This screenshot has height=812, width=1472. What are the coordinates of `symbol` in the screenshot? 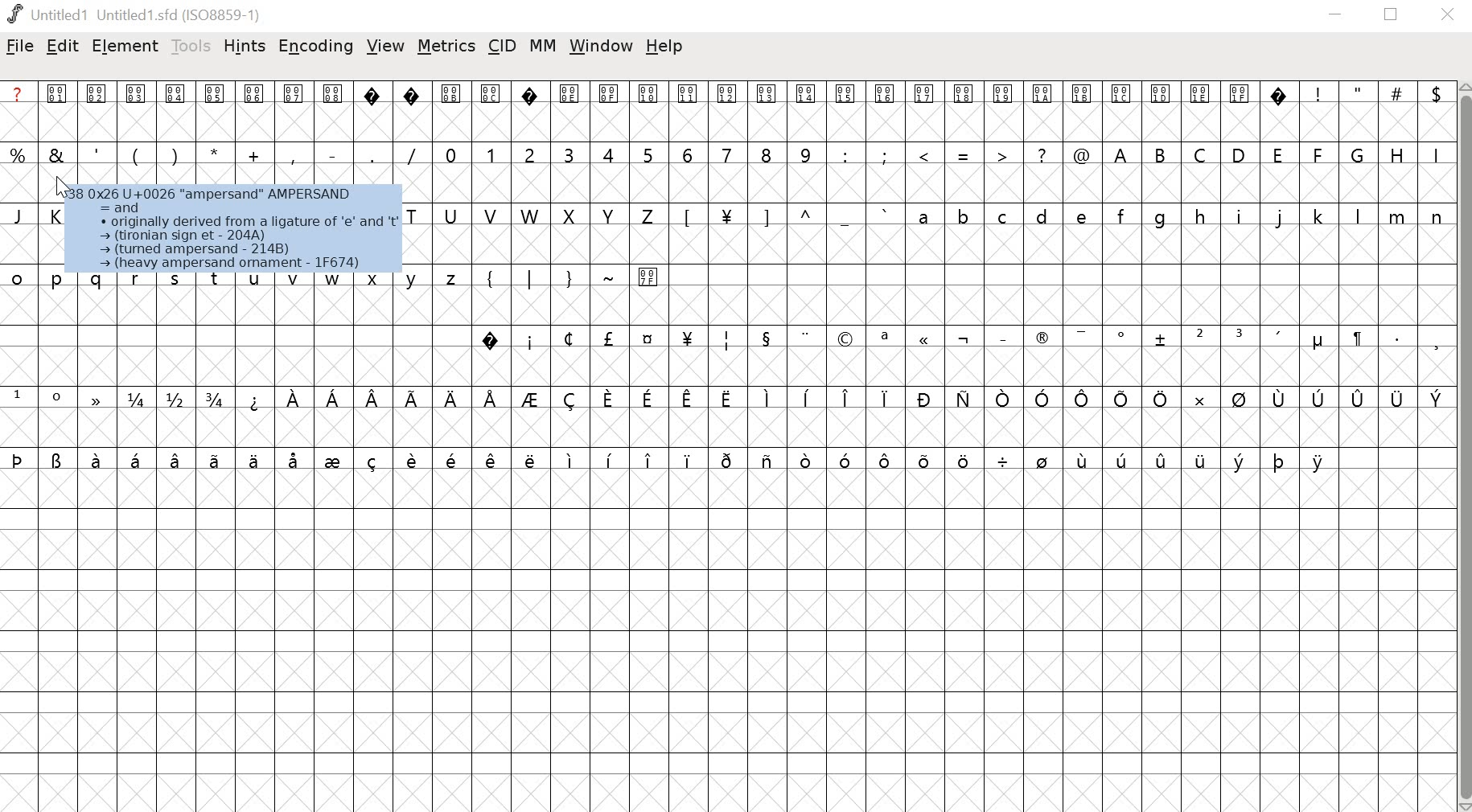 It's located at (728, 458).